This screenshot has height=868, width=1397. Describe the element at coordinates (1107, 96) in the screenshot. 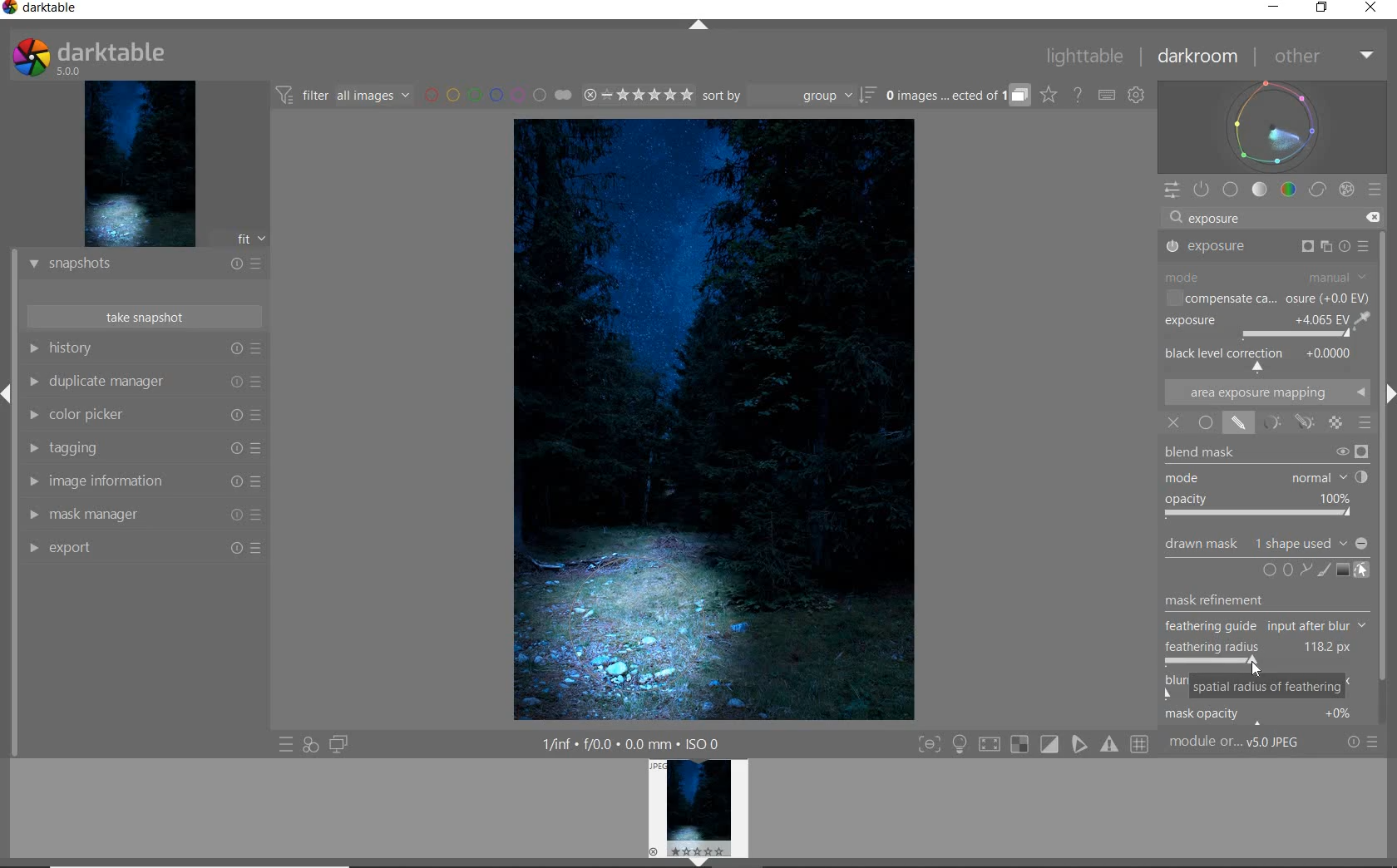

I see `SET KEYBOARD SHORTCUTS` at that location.